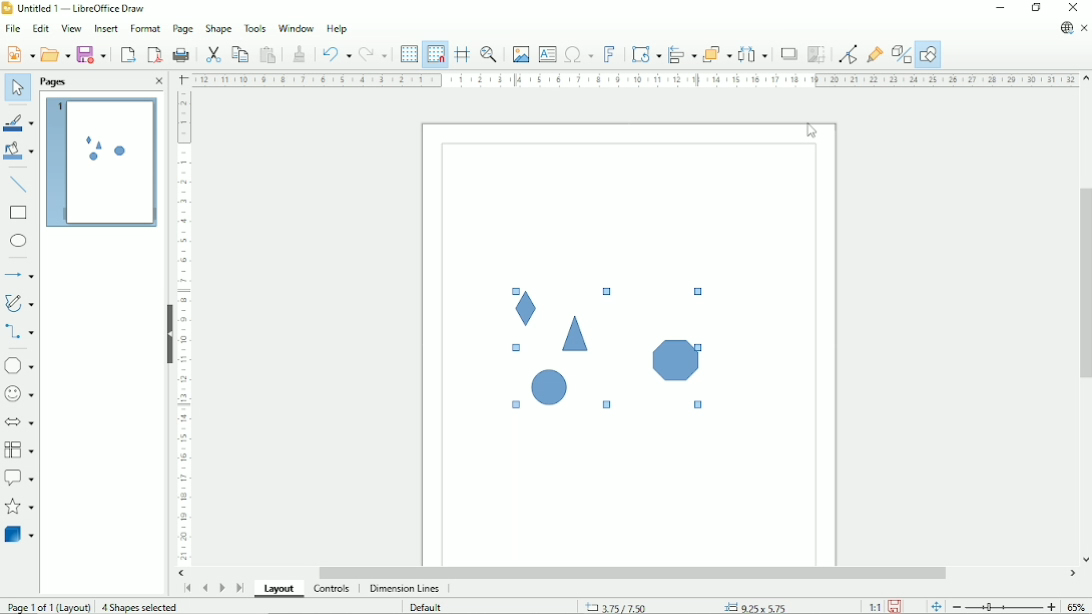 The image size is (1092, 614). Describe the element at coordinates (20, 303) in the screenshot. I see `Curves and polygons` at that location.